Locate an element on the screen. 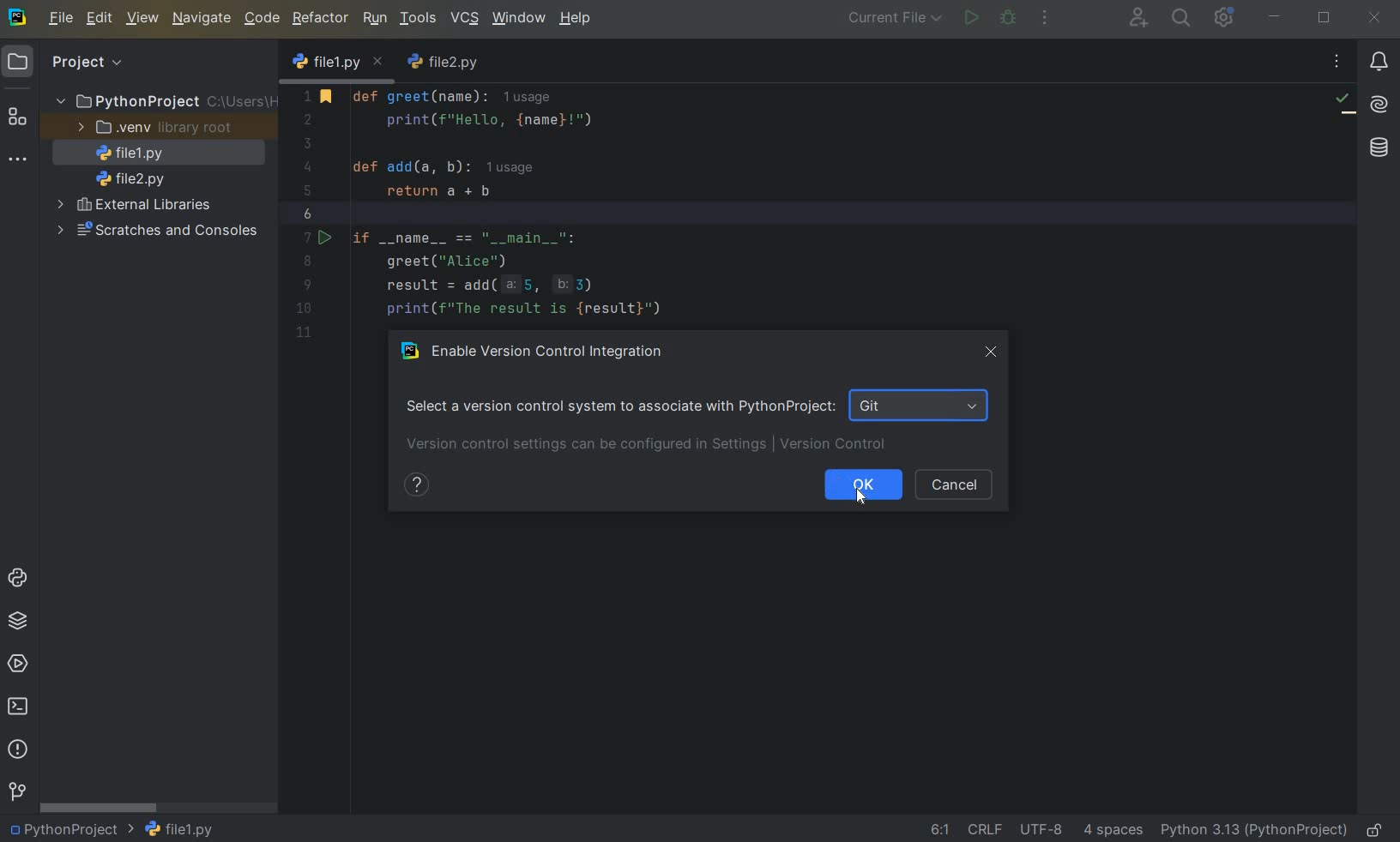 This screenshot has width=1400, height=842. scratches and consoles is located at coordinates (155, 231).